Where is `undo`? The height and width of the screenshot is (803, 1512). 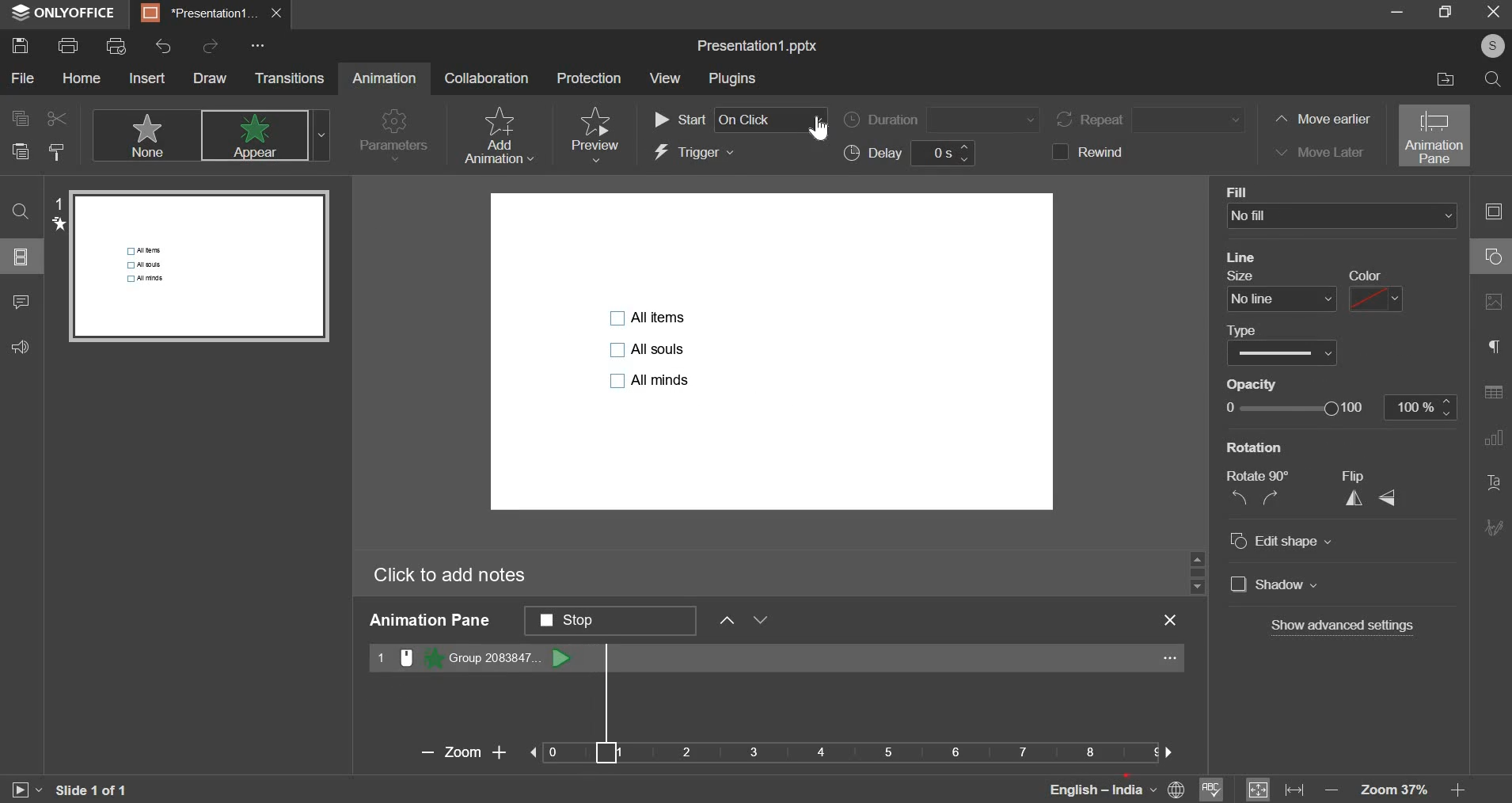
undo is located at coordinates (163, 47).